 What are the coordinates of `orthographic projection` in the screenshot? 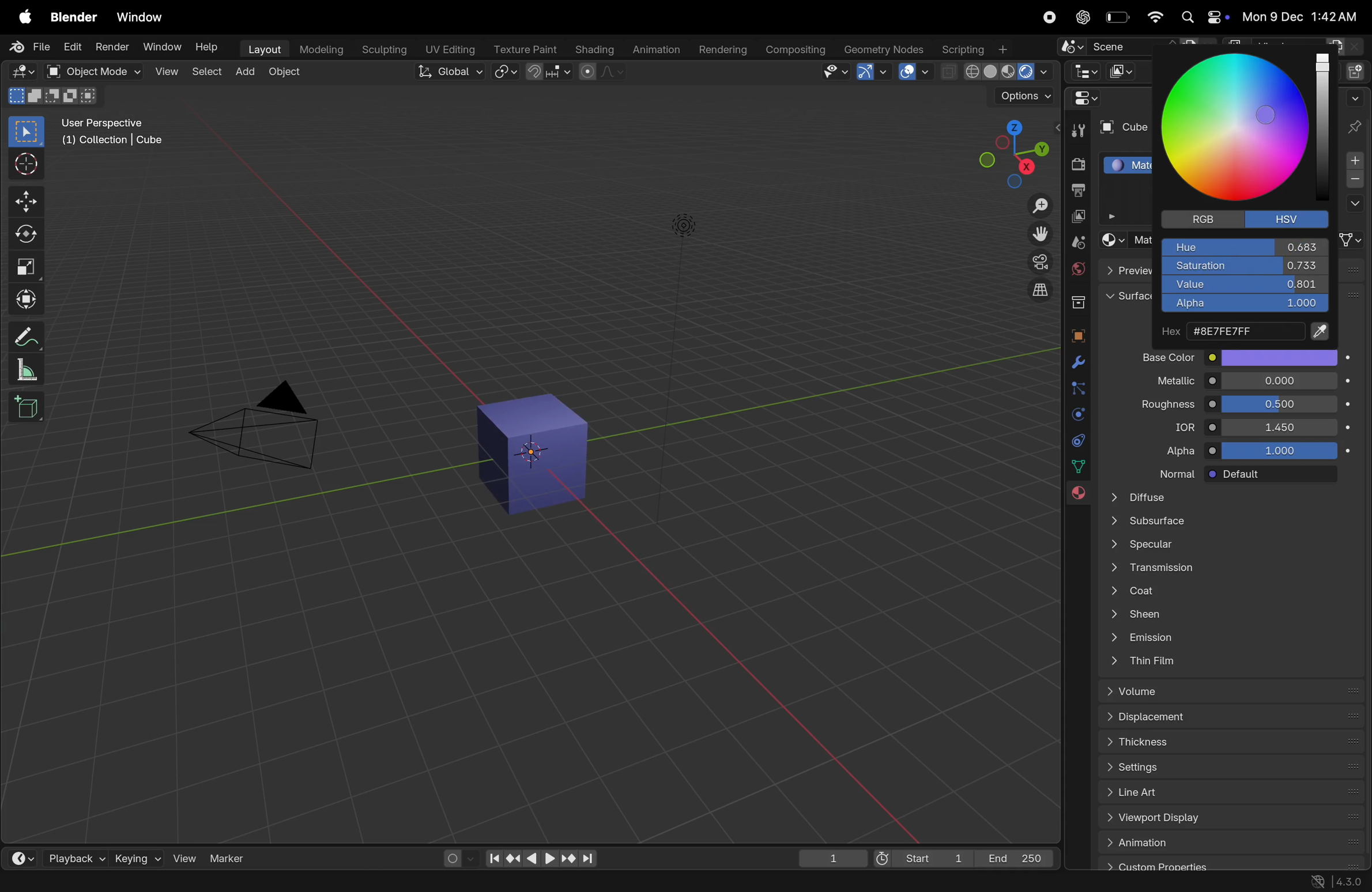 It's located at (1041, 290).